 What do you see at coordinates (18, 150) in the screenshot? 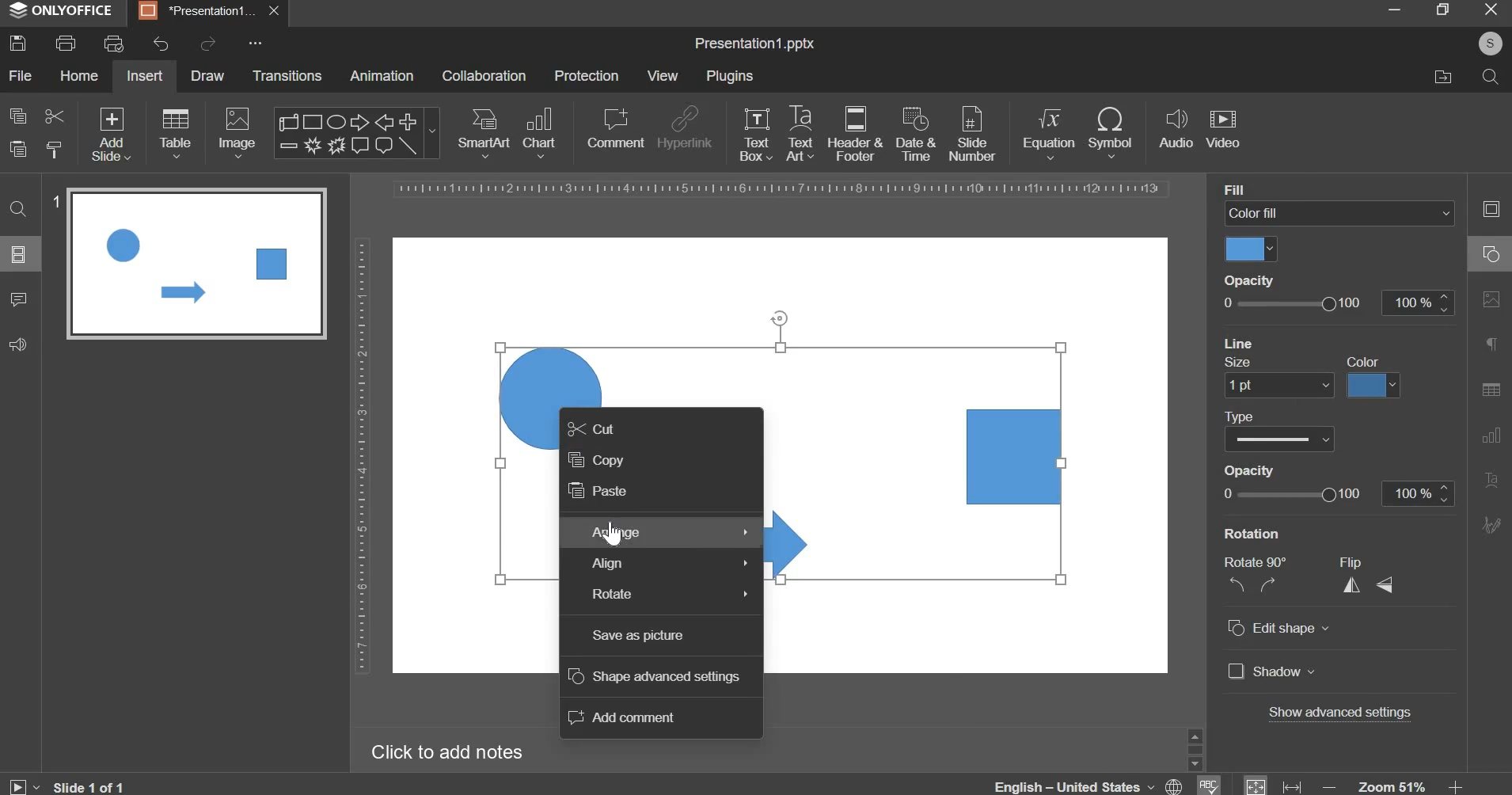
I see `paste` at bounding box center [18, 150].